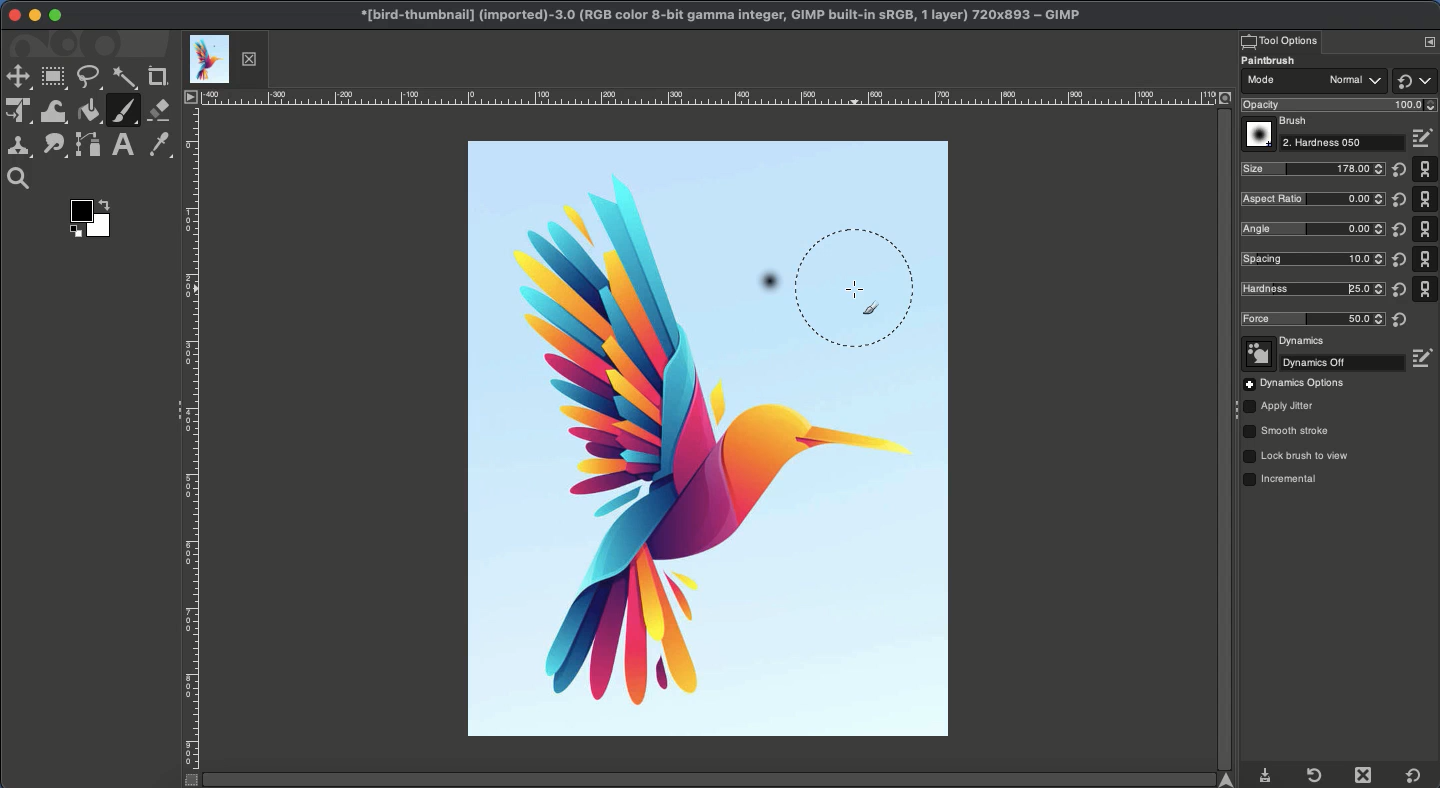 The image size is (1440, 788). I want to click on Default, so click(1426, 228).